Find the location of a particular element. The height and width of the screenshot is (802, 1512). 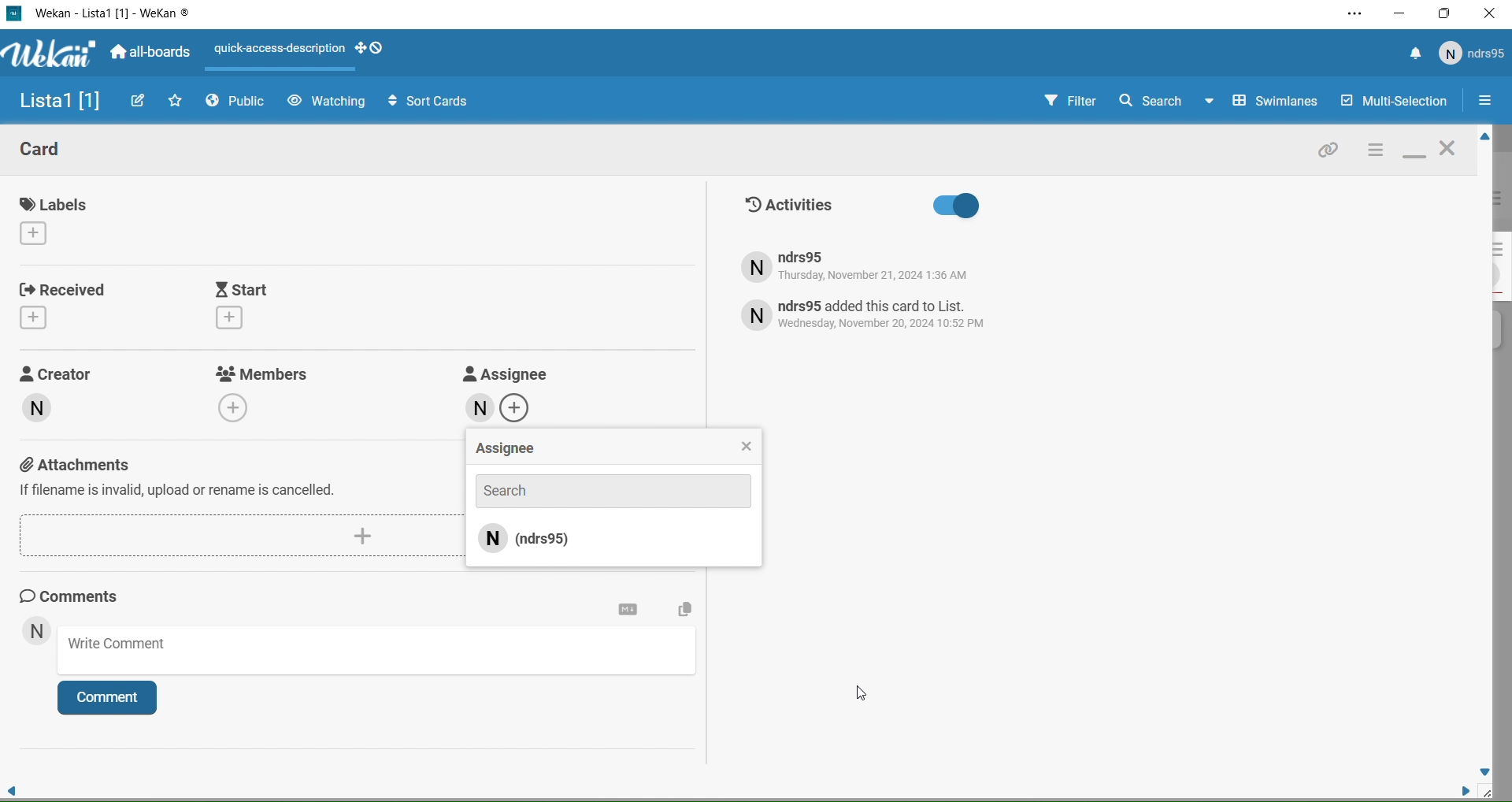

Favourites is located at coordinates (176, 100).